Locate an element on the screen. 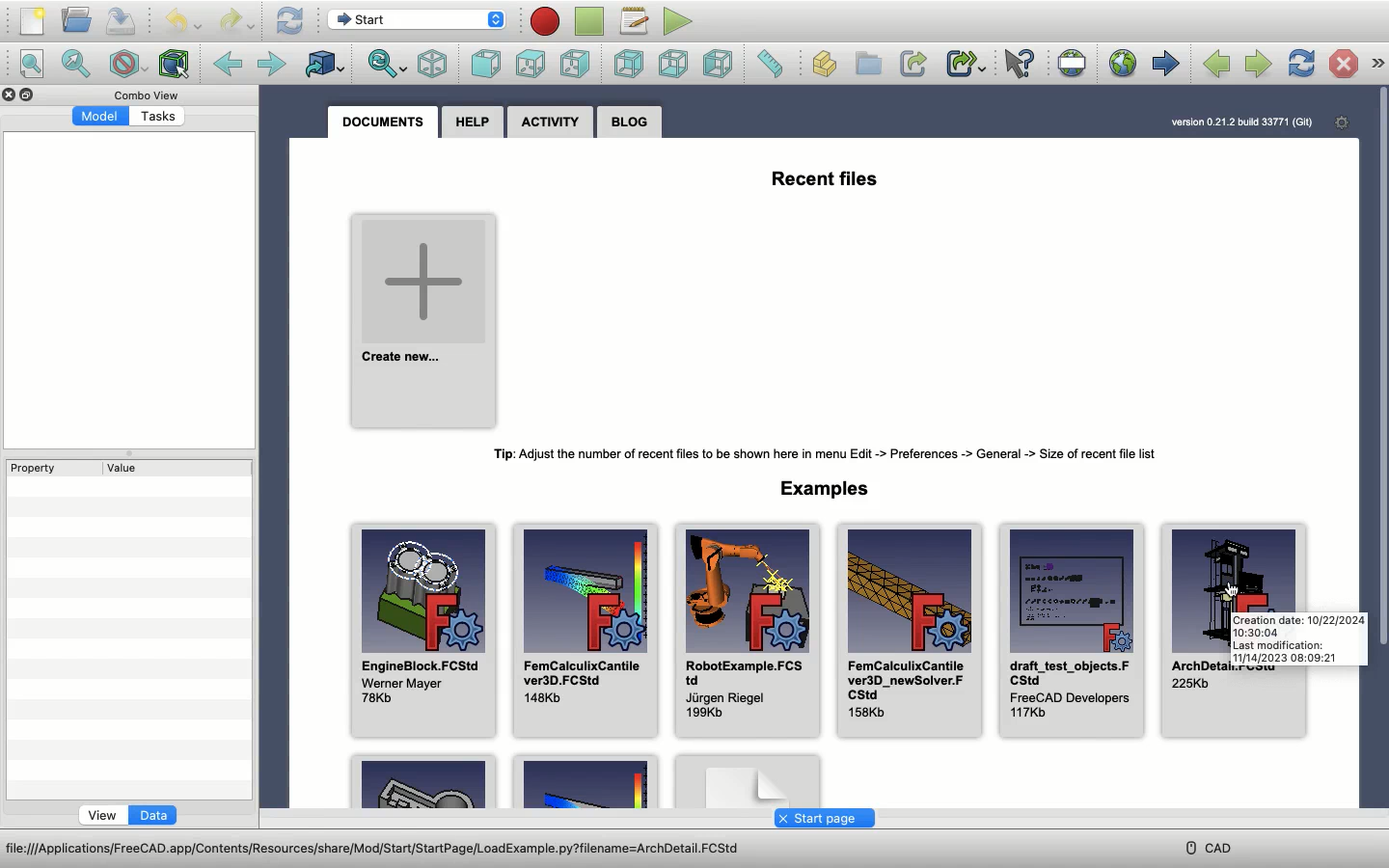  Left is located at coordinates (716, 65).